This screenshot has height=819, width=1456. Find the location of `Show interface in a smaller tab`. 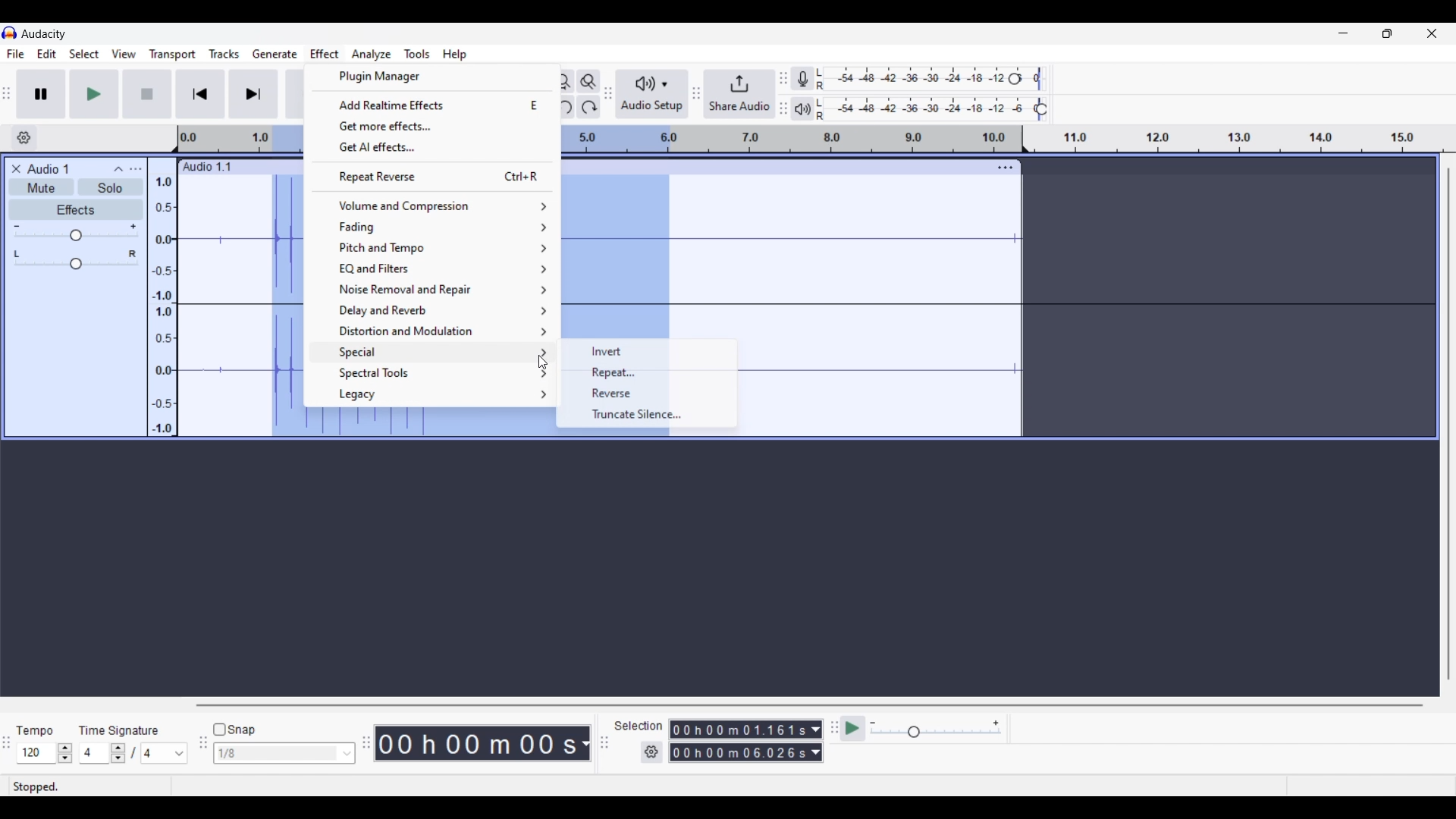

Show interface in a smaller tab is located at coordinates (1387, 33).